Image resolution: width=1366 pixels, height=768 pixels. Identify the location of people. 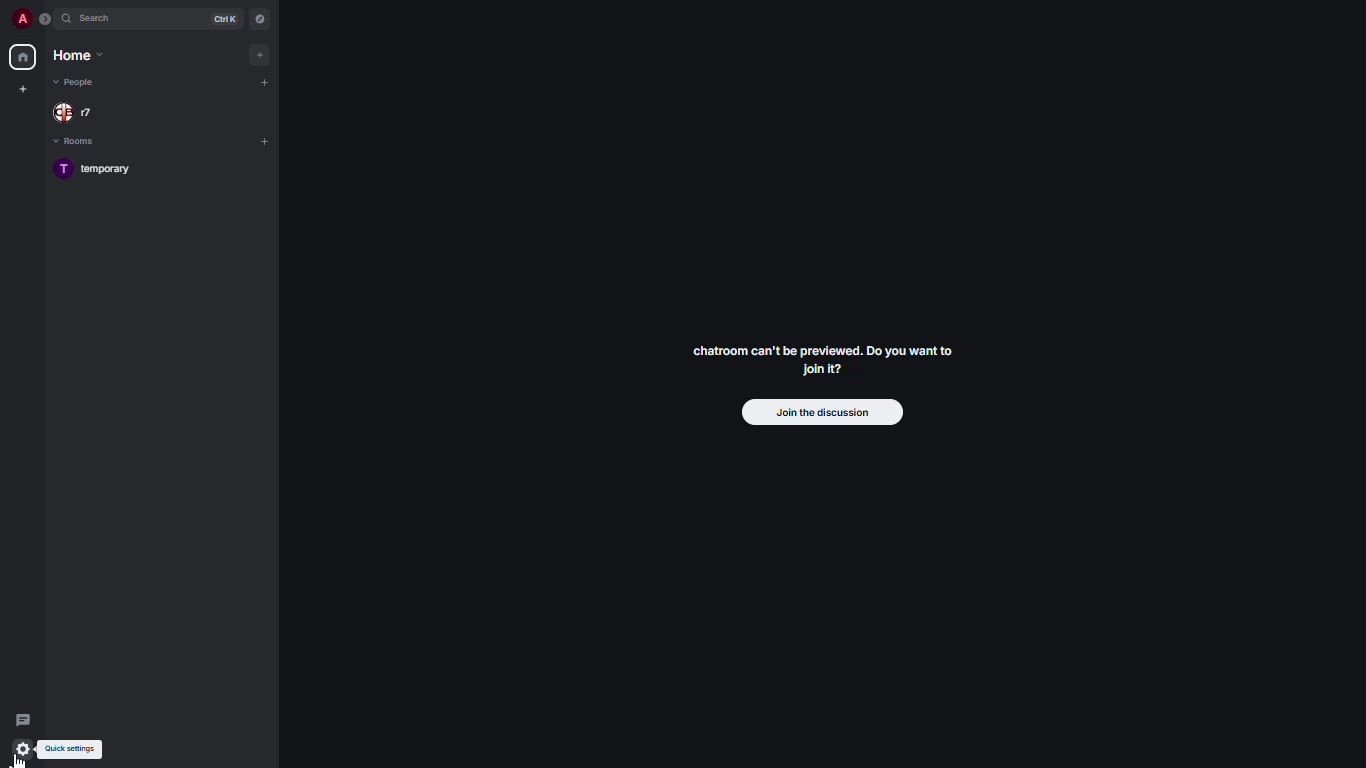
(77, 113).